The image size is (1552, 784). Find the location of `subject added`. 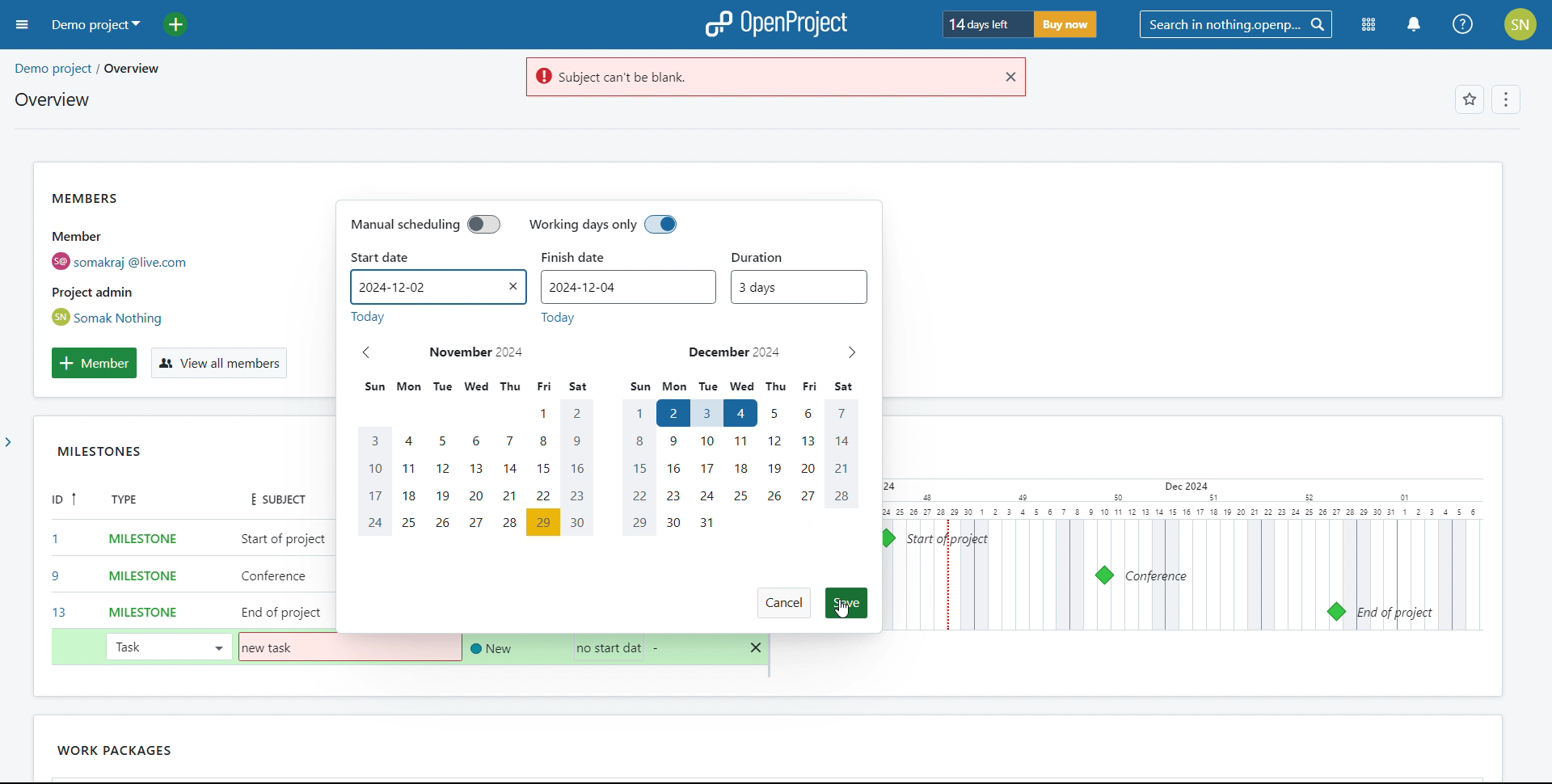

subject added is located at coordinates (272, 648).